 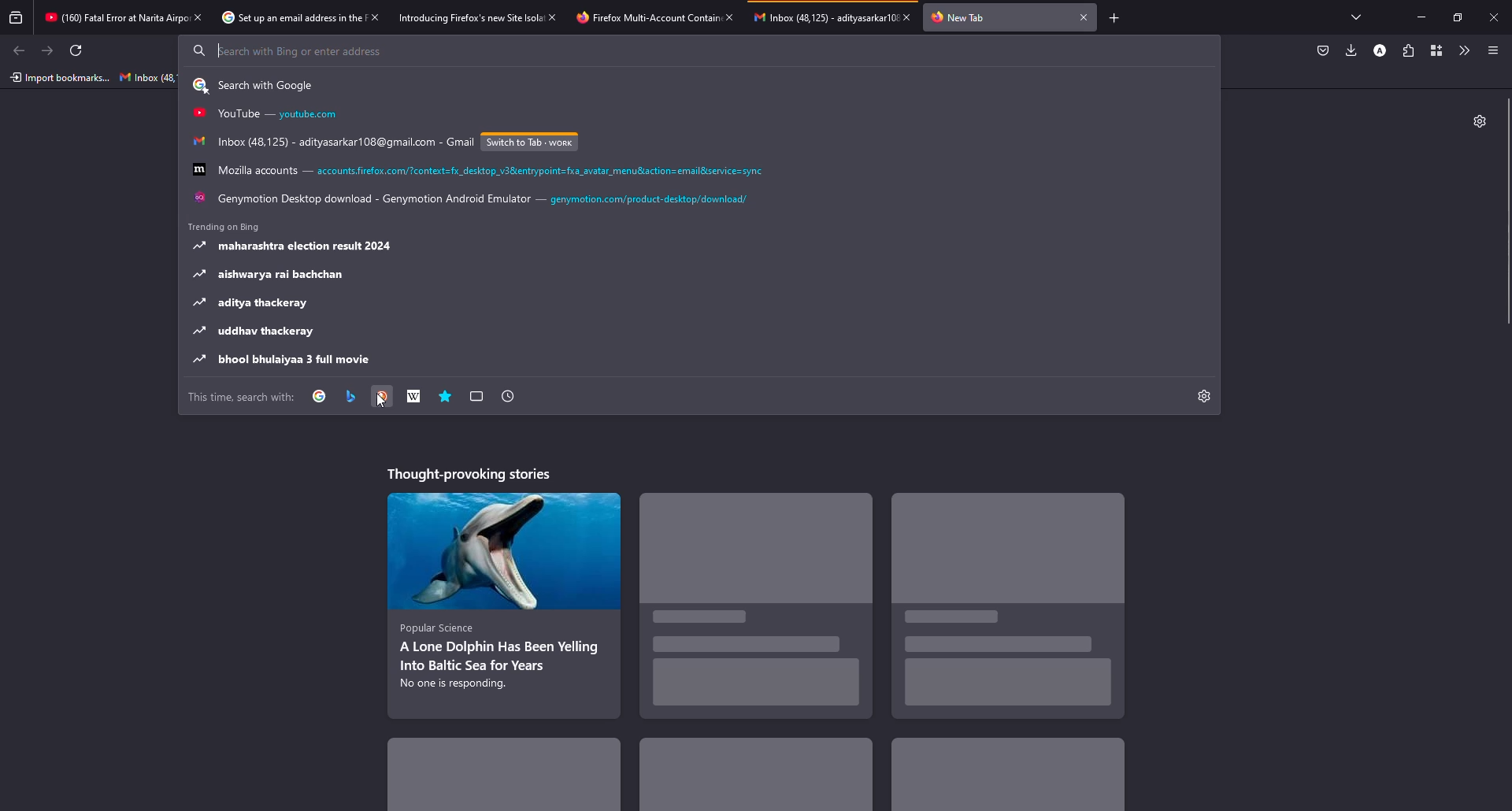 I want to click on close, so click(x=198, y=17).